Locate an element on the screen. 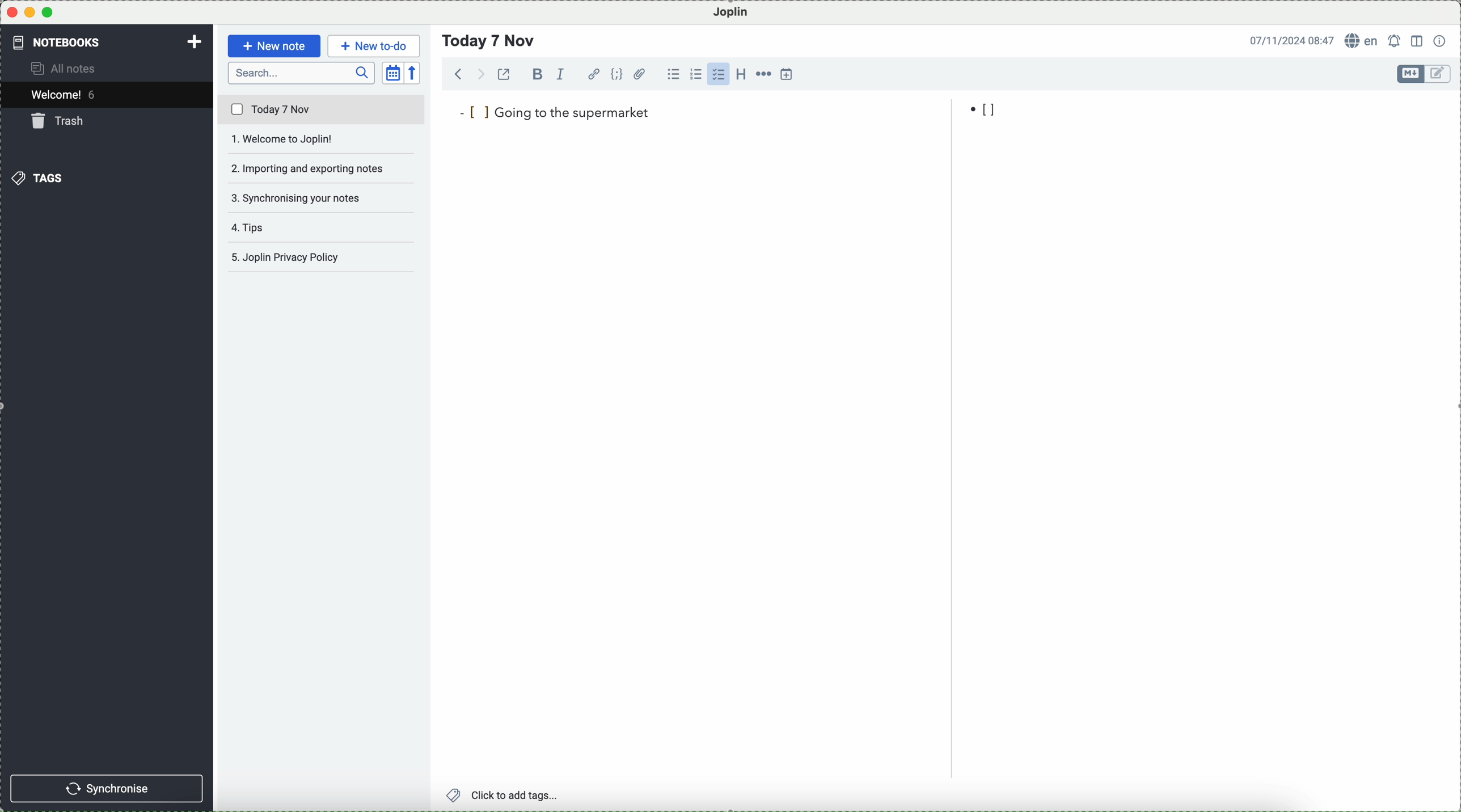 The image size is (1461, 812). checkbox is located at coordinates (718, 74).